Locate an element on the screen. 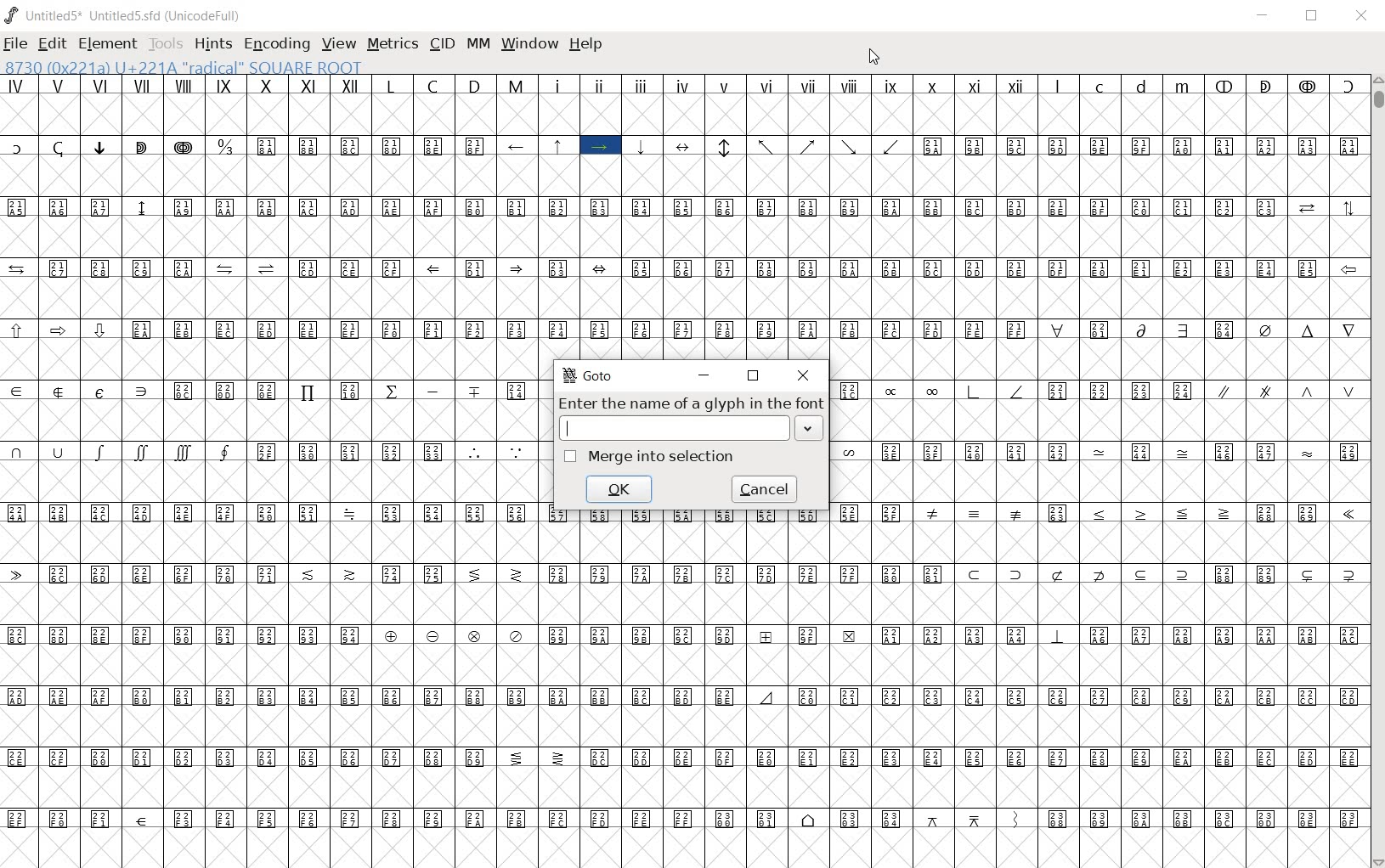 This screenshot has width=1385, height=868. MINIMIZE is located at coordinates (1263, 16).